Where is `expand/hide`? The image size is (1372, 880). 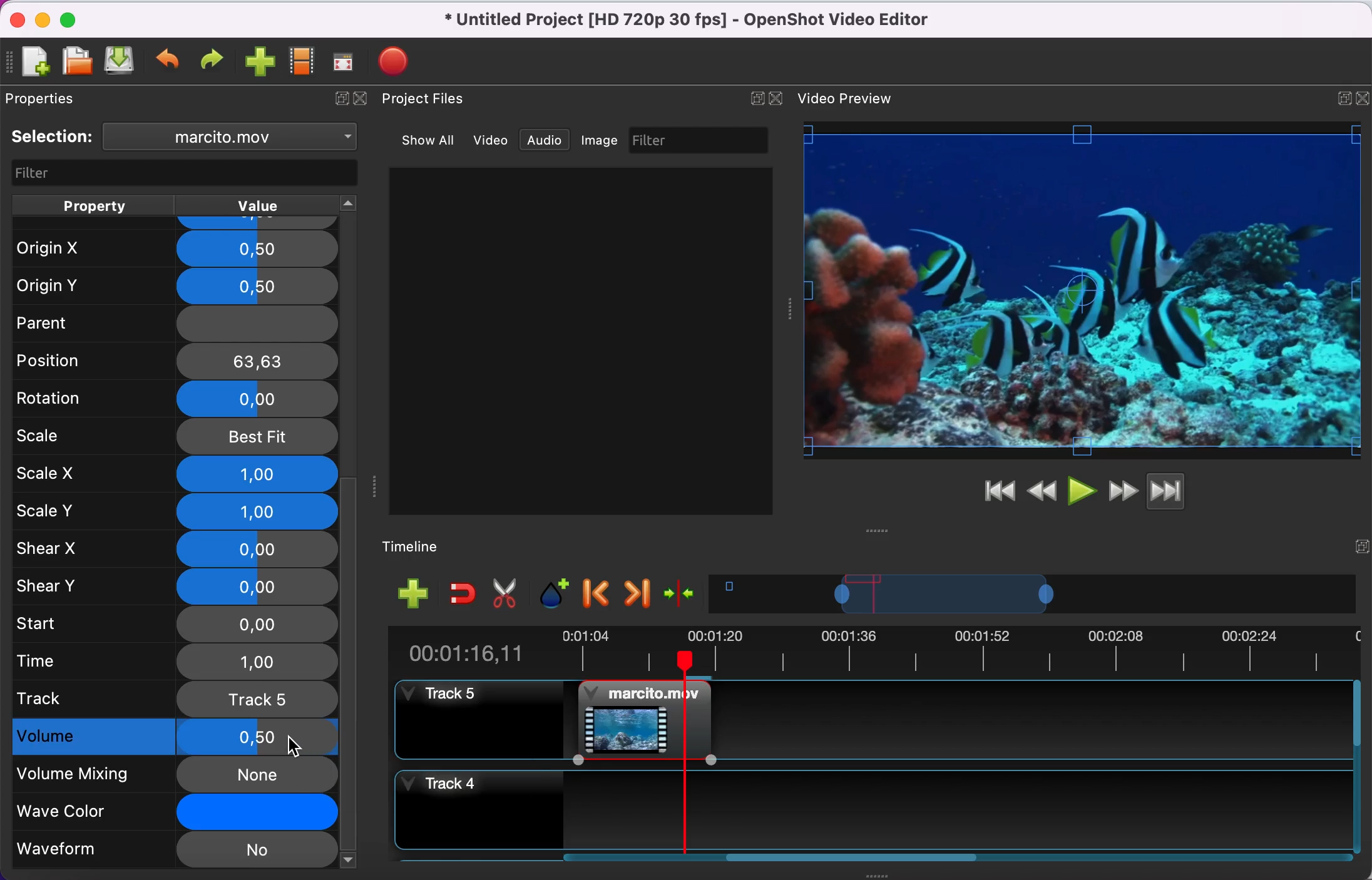 expand/hide is located at coordinates (754, 98).